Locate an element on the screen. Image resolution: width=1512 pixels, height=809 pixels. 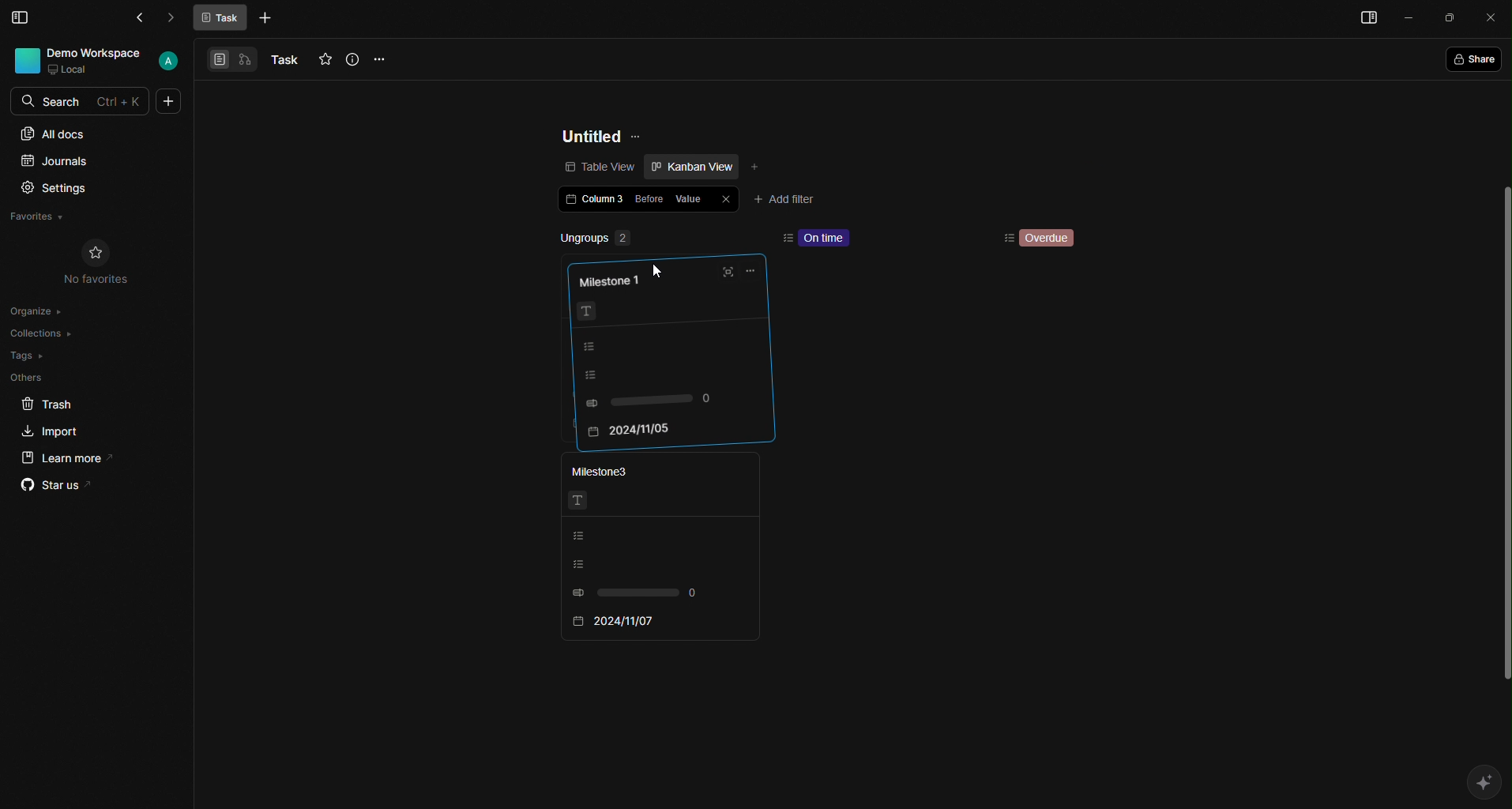
Close is located at coordinates (724, 198).